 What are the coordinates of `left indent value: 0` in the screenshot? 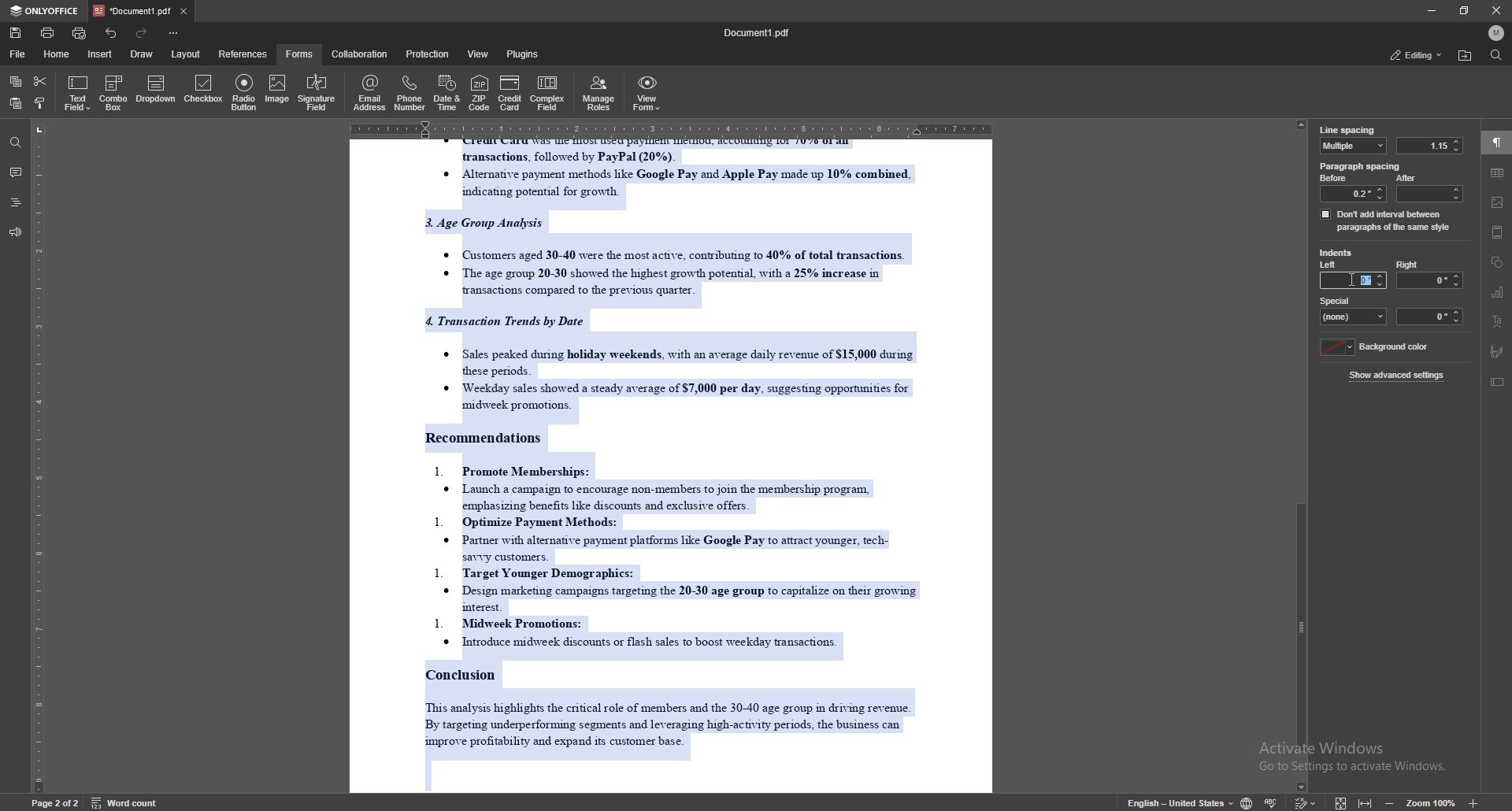 It's located at (1367, 280).